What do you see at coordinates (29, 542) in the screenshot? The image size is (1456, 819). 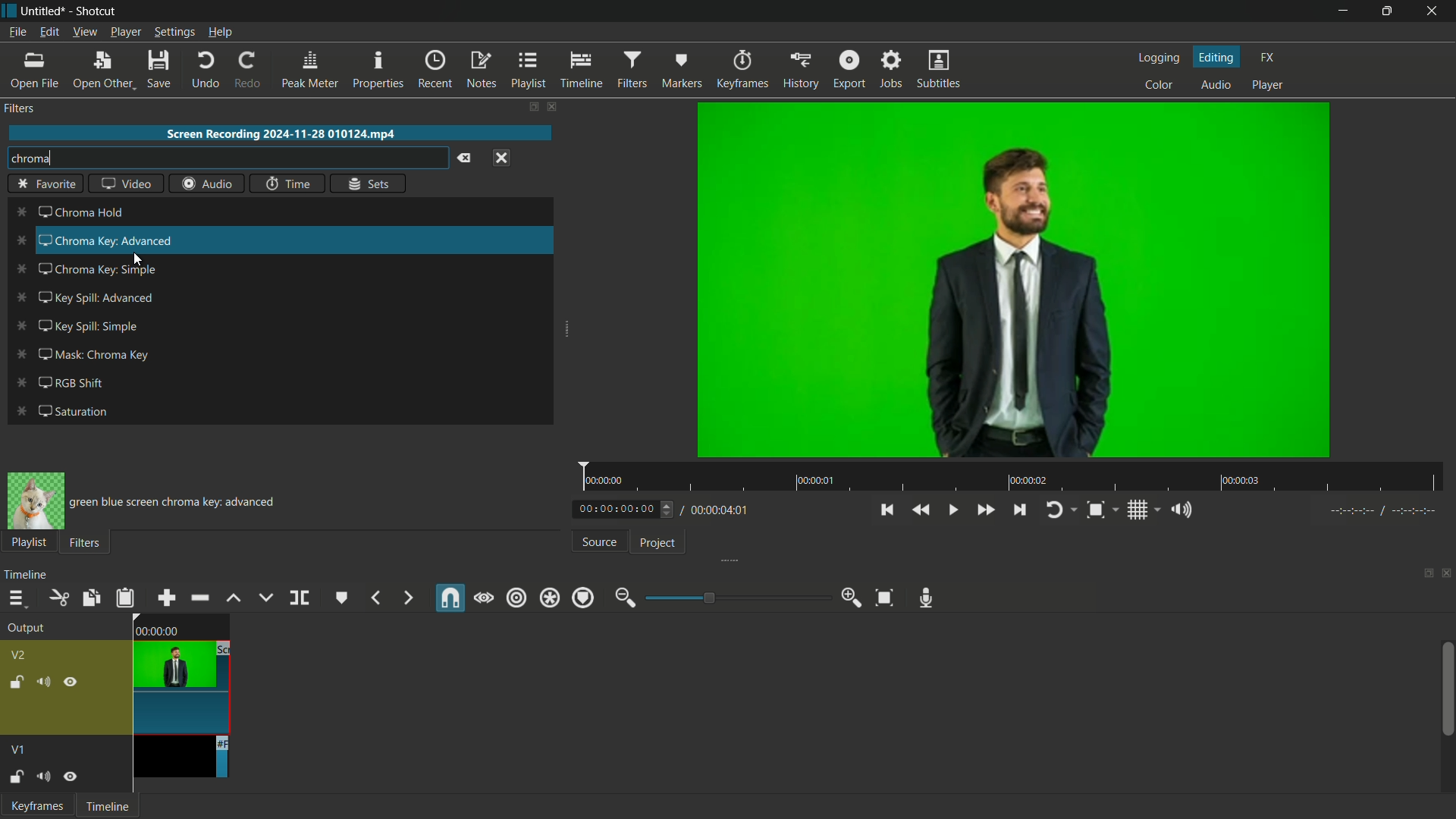 I see `playlist` at bounding box center [29, 542].